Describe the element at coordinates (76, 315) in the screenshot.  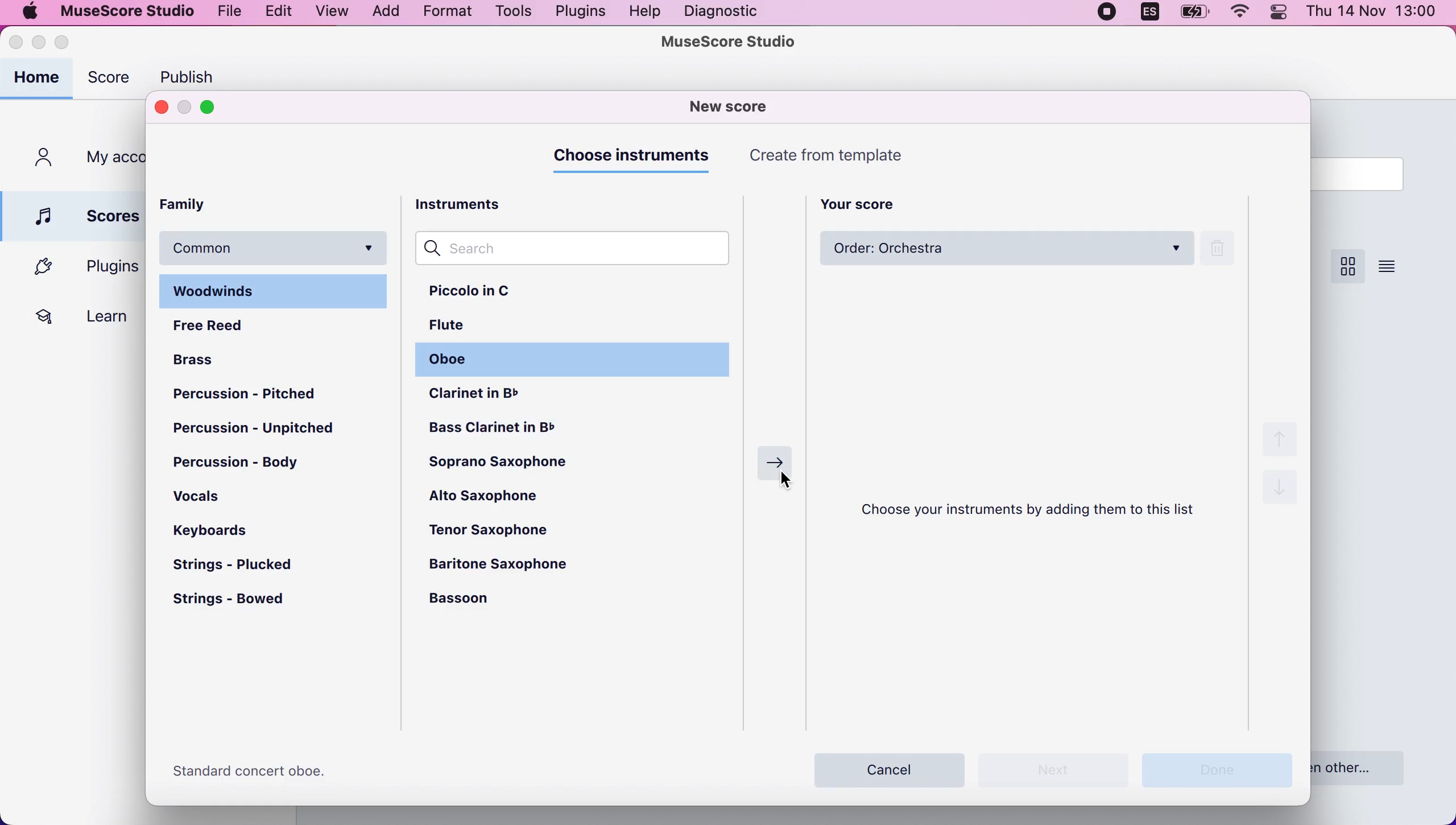
I see `learn` at that location.